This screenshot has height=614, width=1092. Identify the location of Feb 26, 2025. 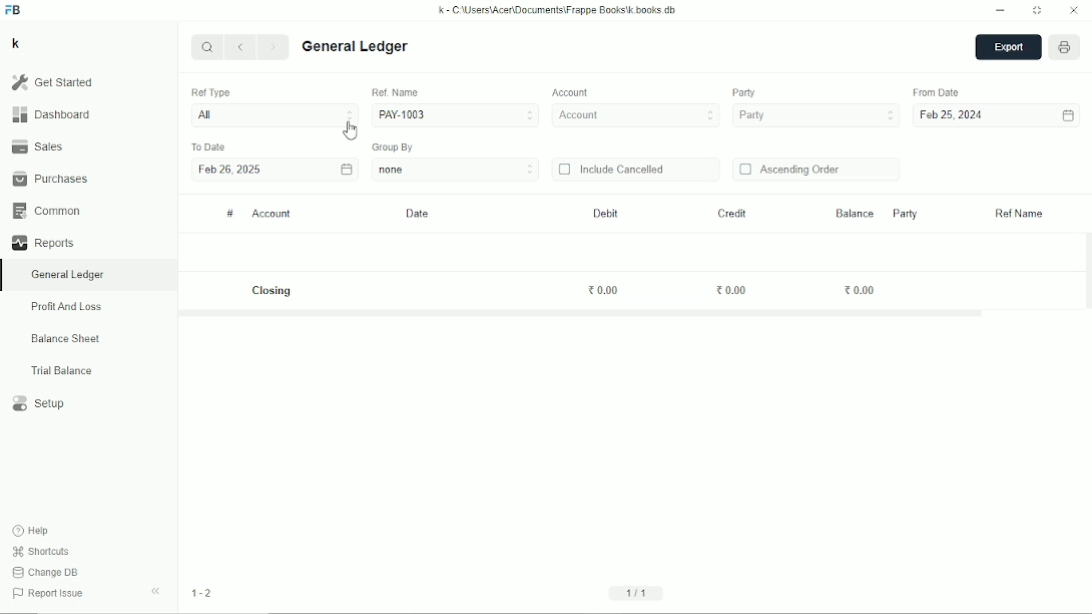
(230, 171).